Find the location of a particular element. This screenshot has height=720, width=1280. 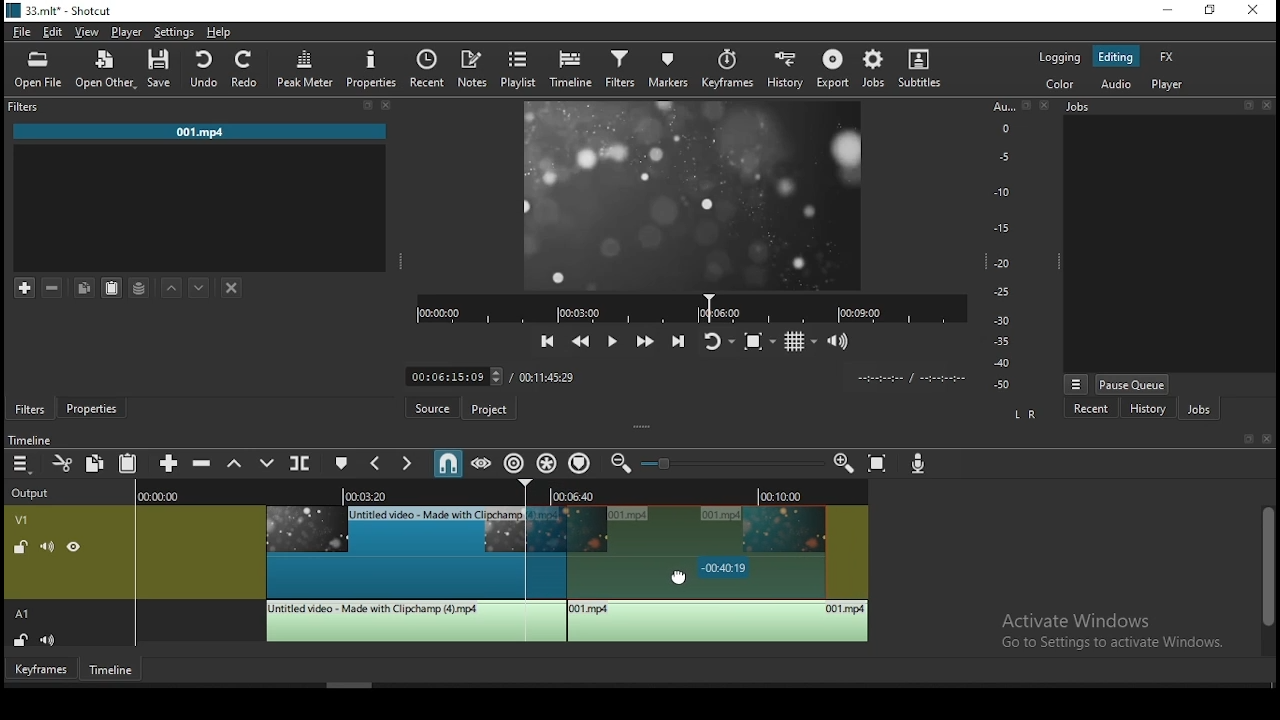

source is located at coordinates (423, 409).